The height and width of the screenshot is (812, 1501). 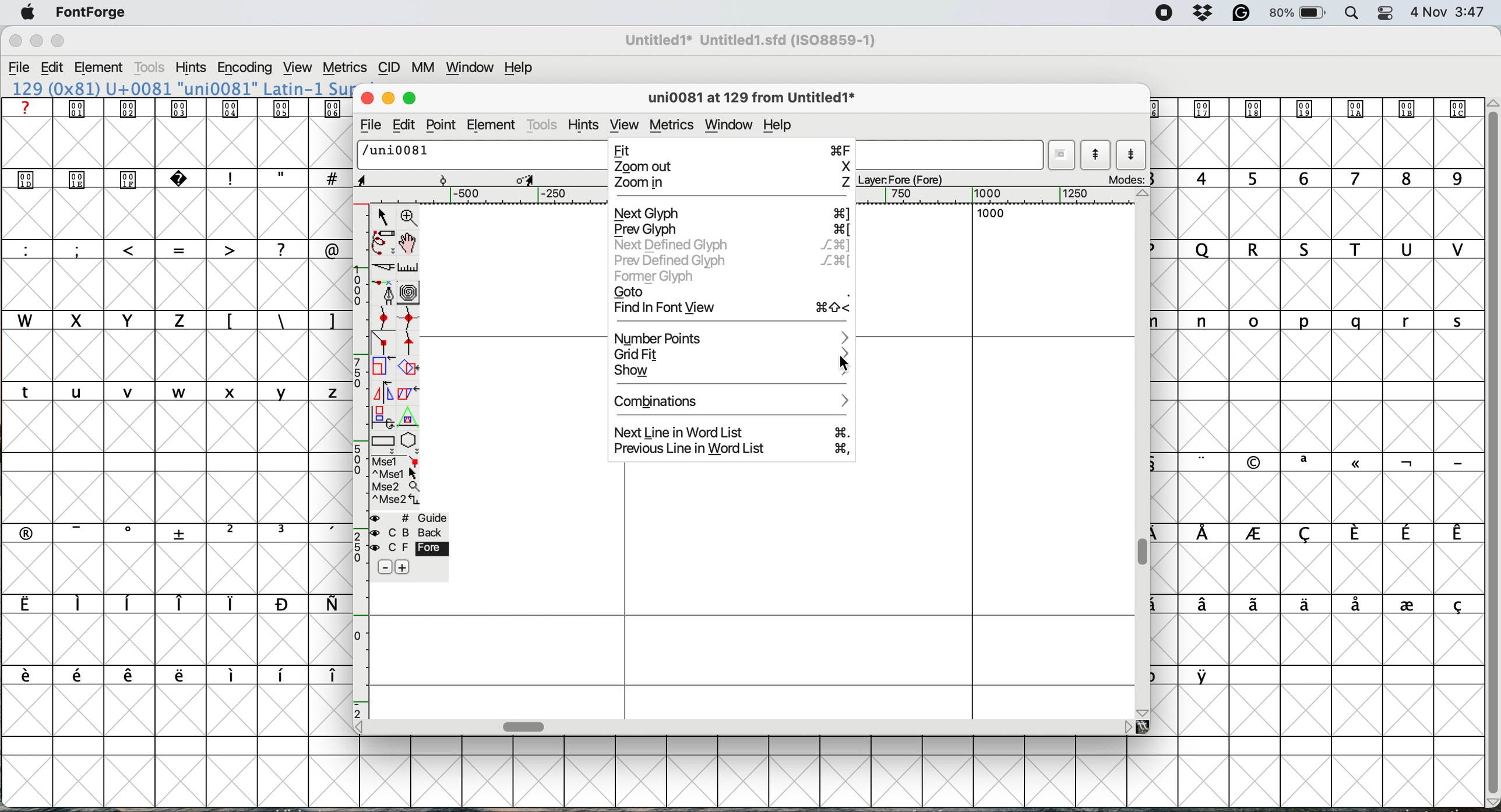 I want to click on find in font view, so click(x=734, y=310).